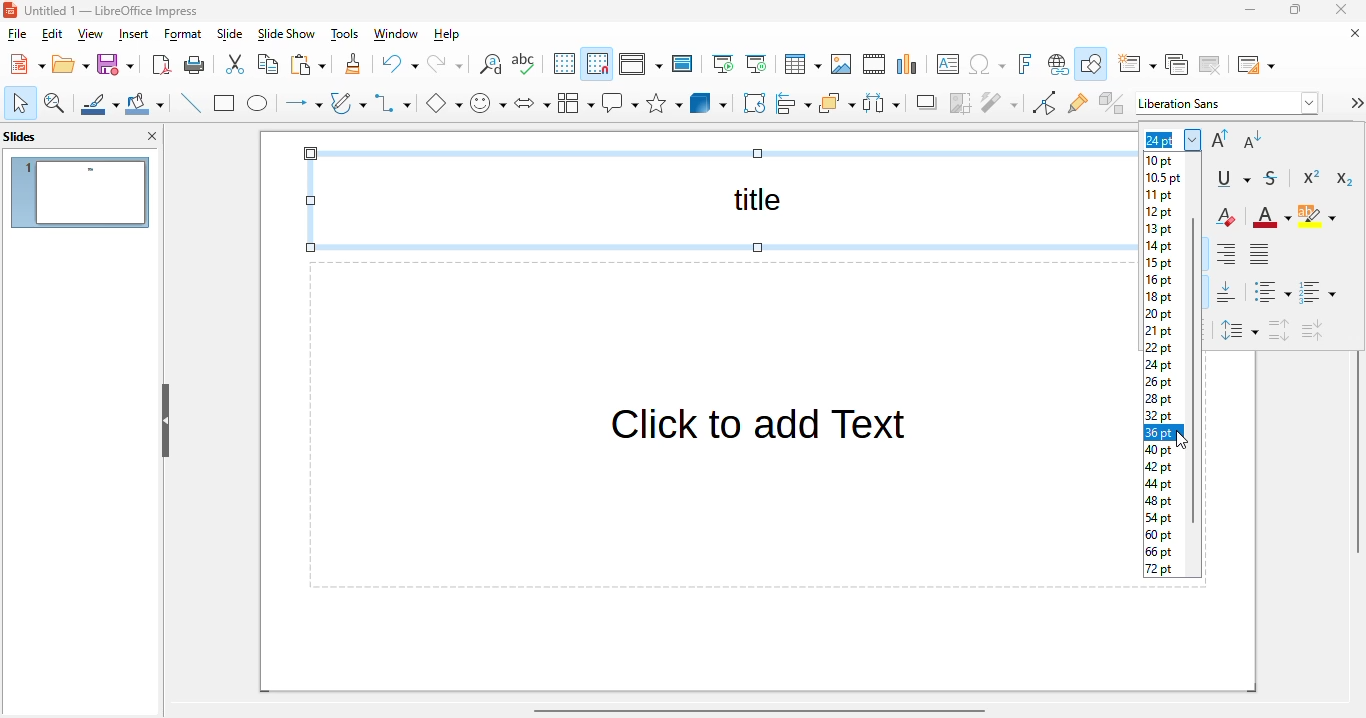  What do you see at coordinates (82, 193) in the screenshot?
I see `slide 1` at bounding box center [82, 193].